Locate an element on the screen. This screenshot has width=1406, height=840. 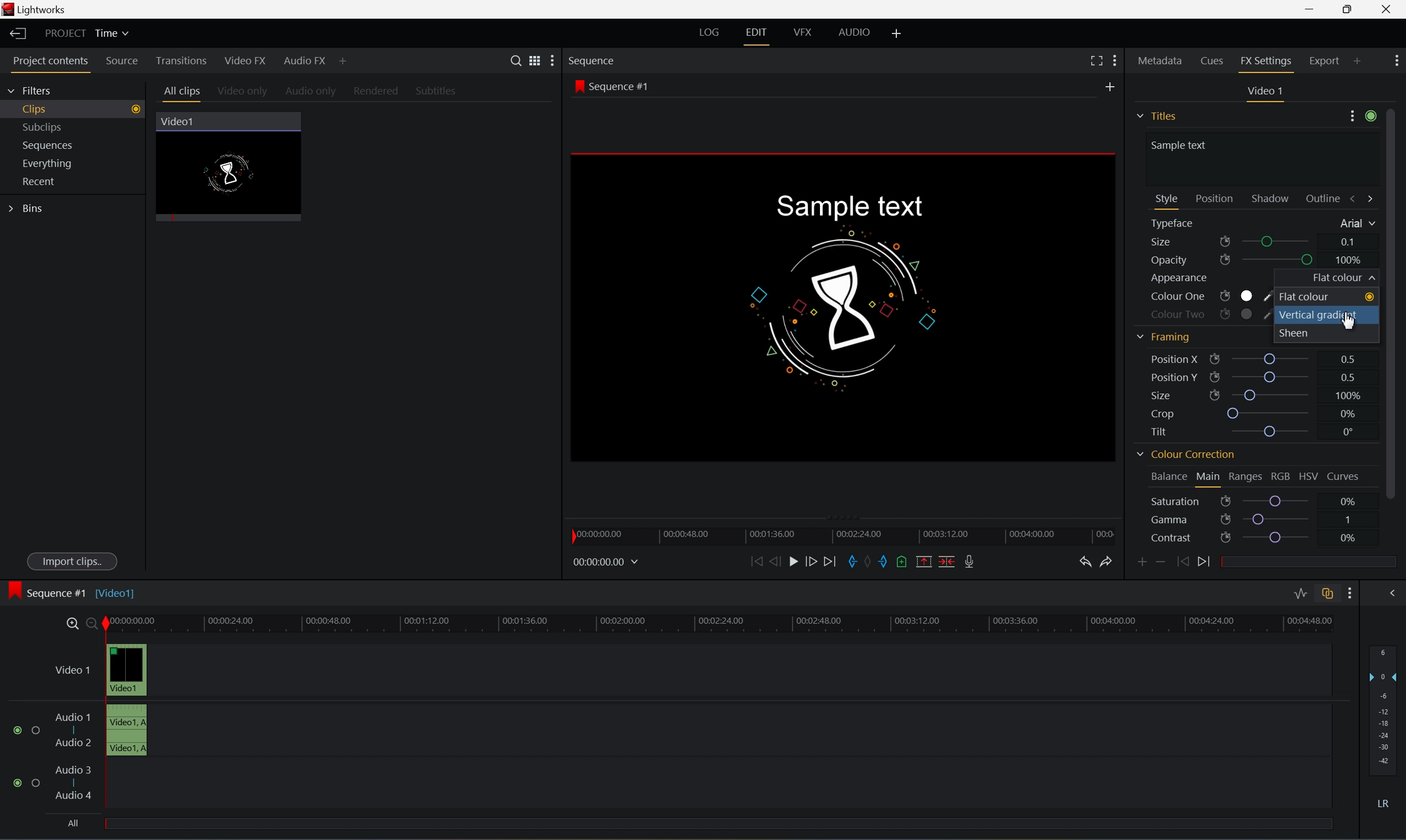
size is located at coordinates (1183, 395).